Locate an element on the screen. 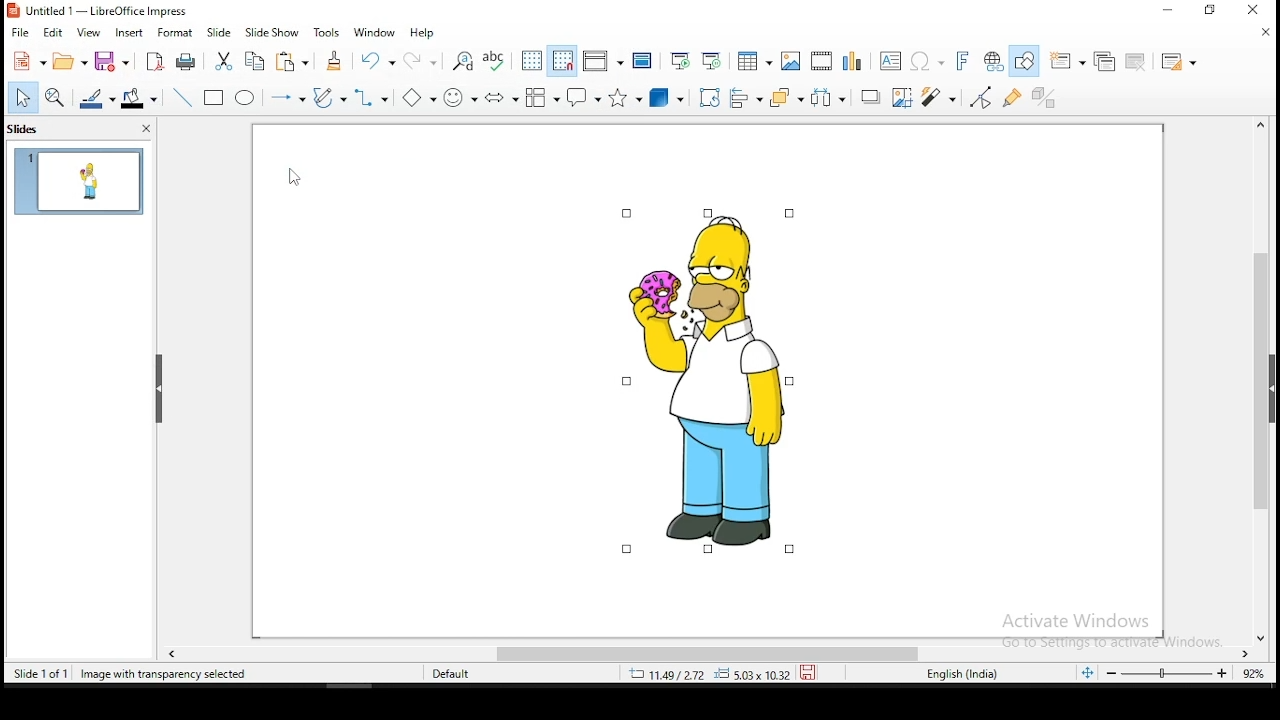 This screenshot has width=1280, height=720. shadow is located at coordinates (871, 98).